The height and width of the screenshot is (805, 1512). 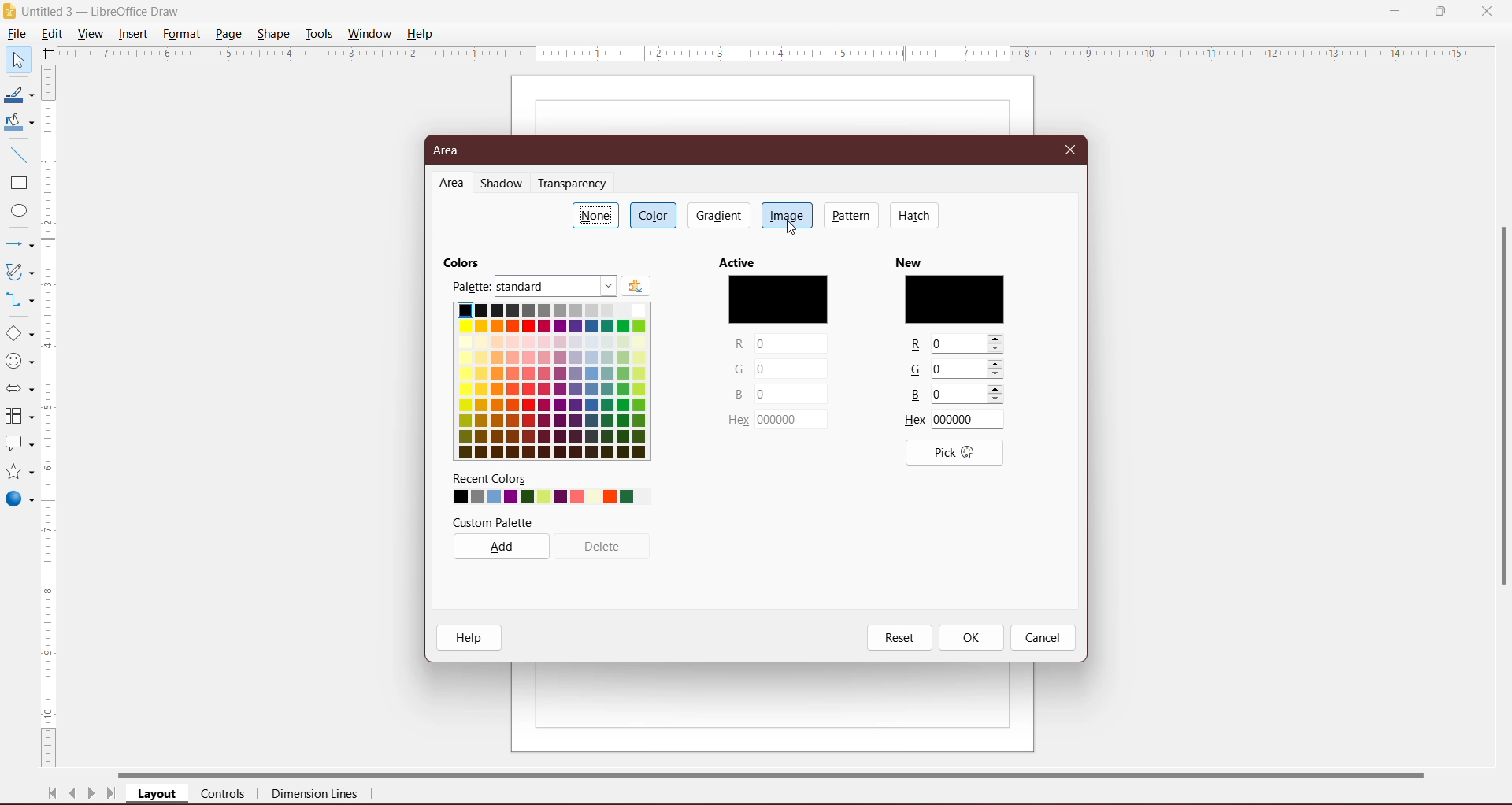 What do you see at coordinates (158, 795) in the screenshot?
I see `Layout` at bounding box center [158, 795].